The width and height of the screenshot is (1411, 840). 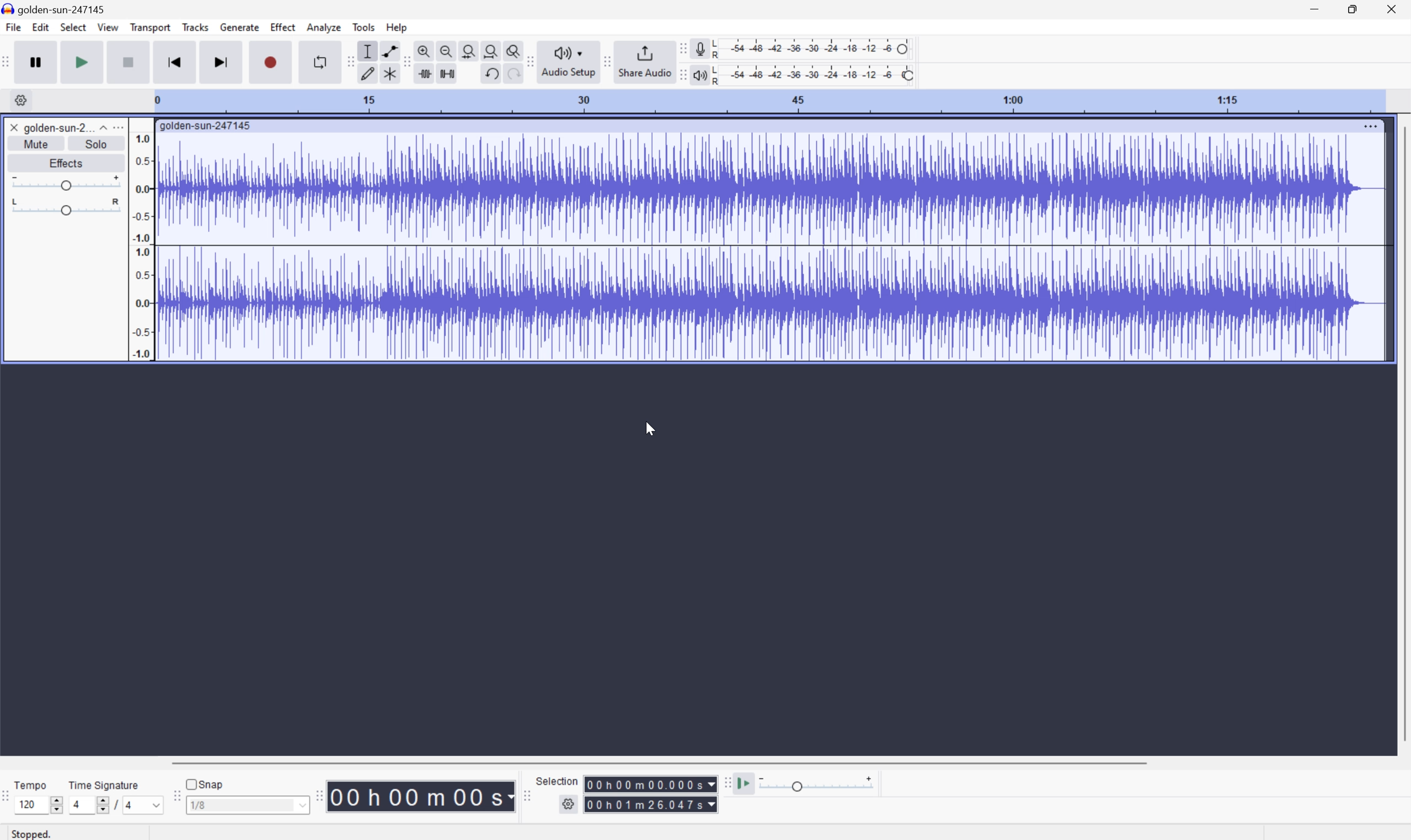 What do you see at coordinates (820, 783) in the screenshot?
I see `Play back speed` at bounding box center [820, 783].